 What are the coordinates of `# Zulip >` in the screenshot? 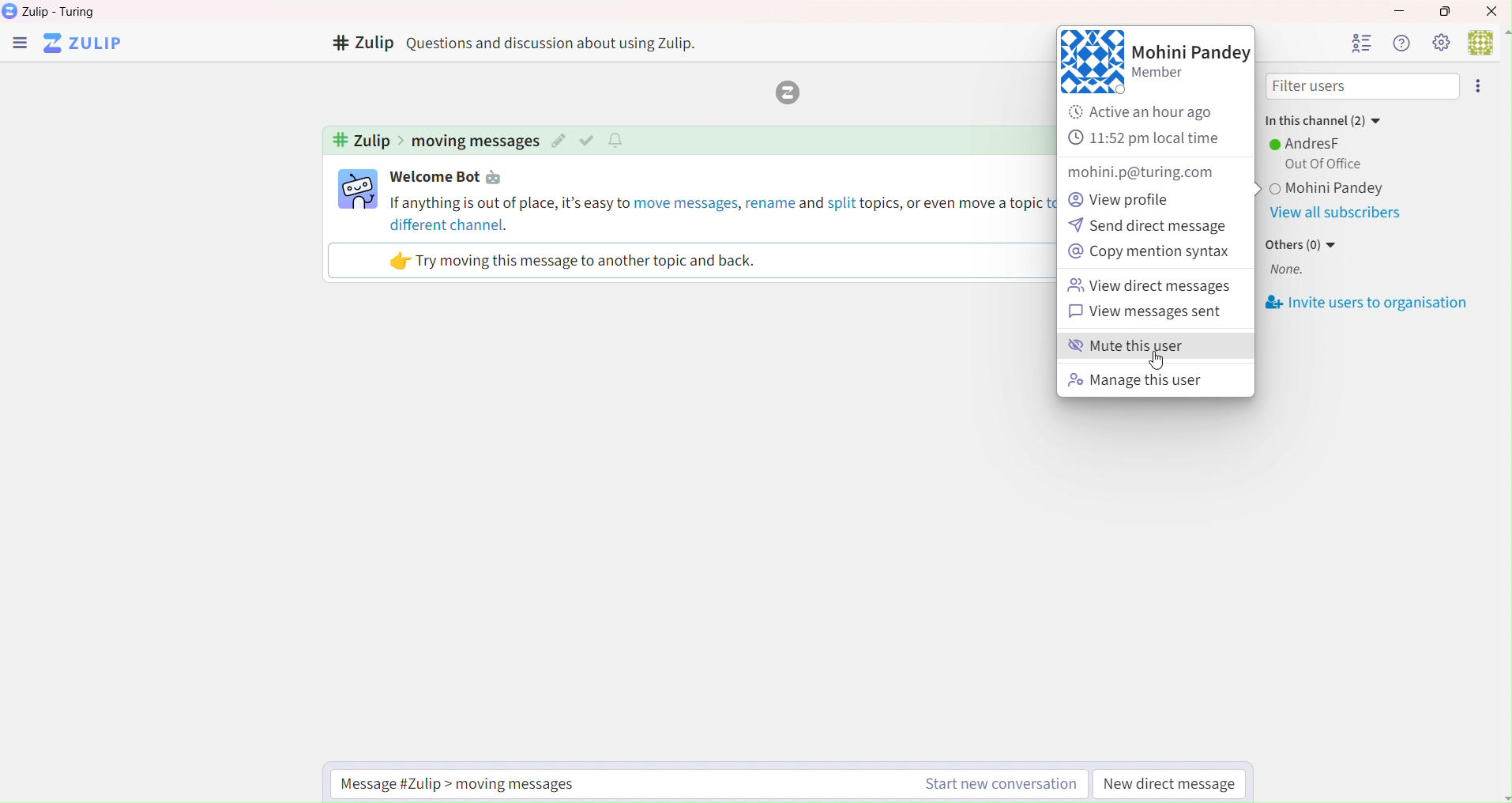 It's located at (366, 141).